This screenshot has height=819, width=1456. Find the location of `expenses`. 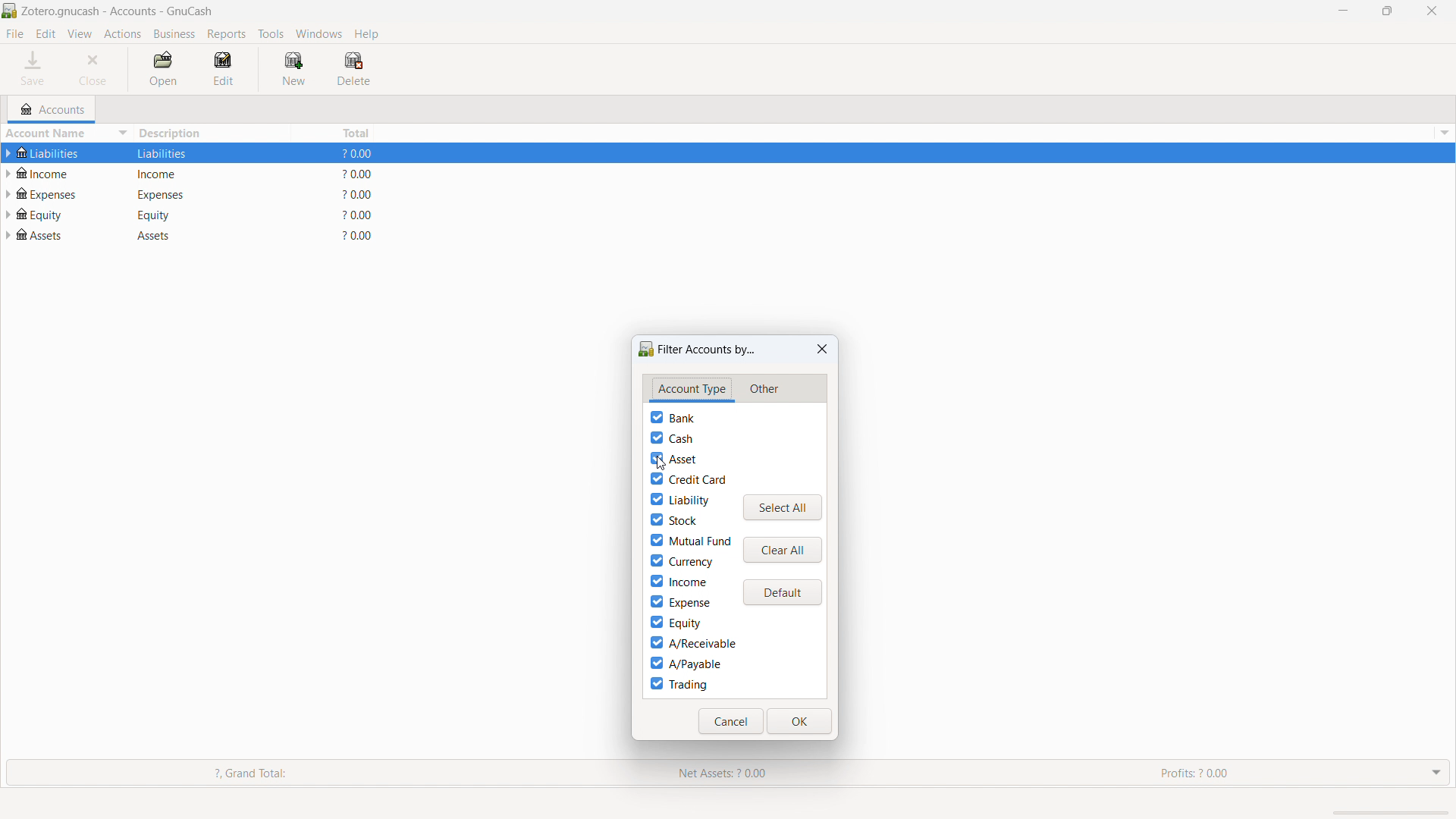

expenses is located at coordinates (174, 193).